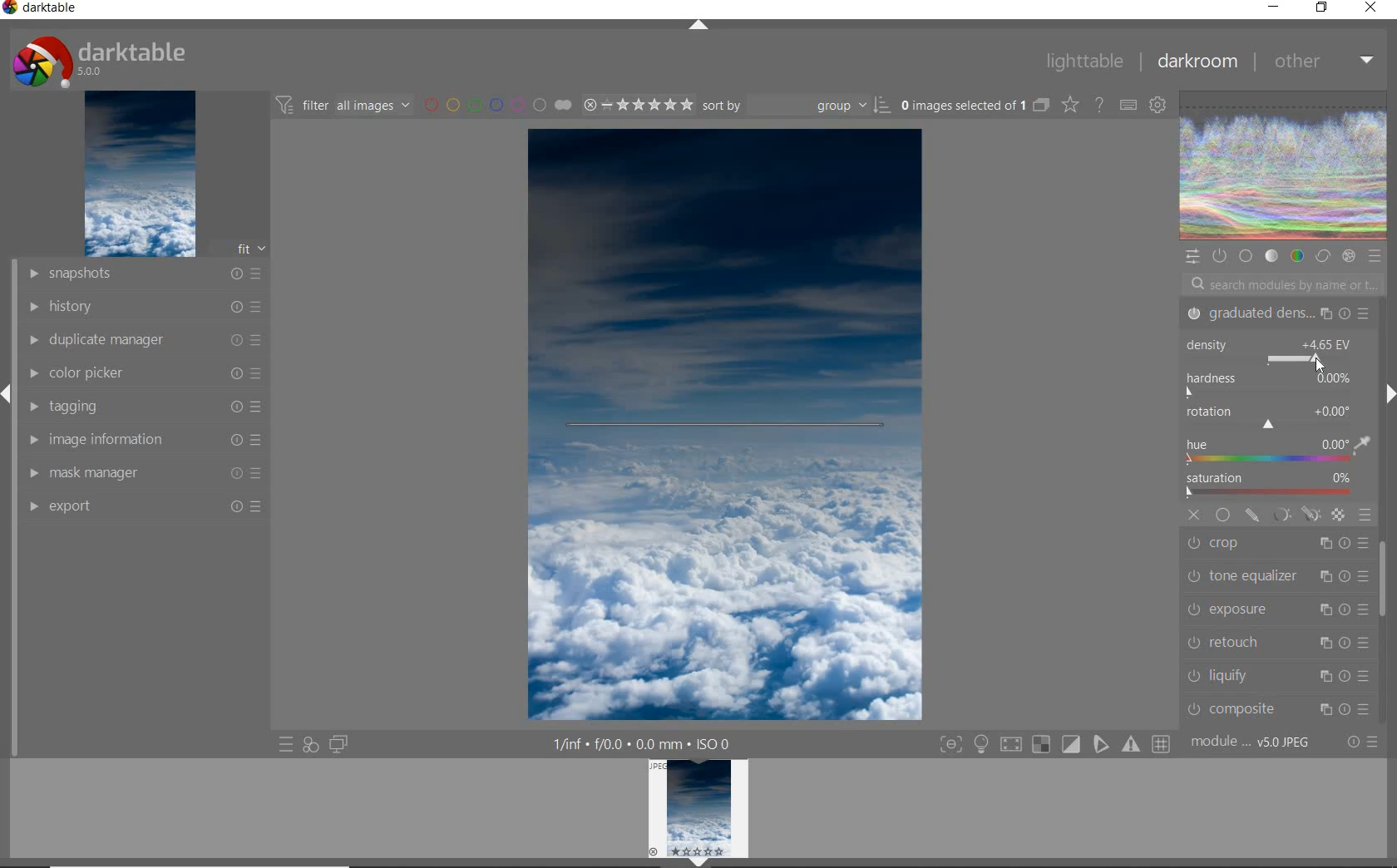  What do you see at coordinates (147, 439) in the screenshot?
I see `IMAGE INFORMATION` at bounding box center [147, 439].